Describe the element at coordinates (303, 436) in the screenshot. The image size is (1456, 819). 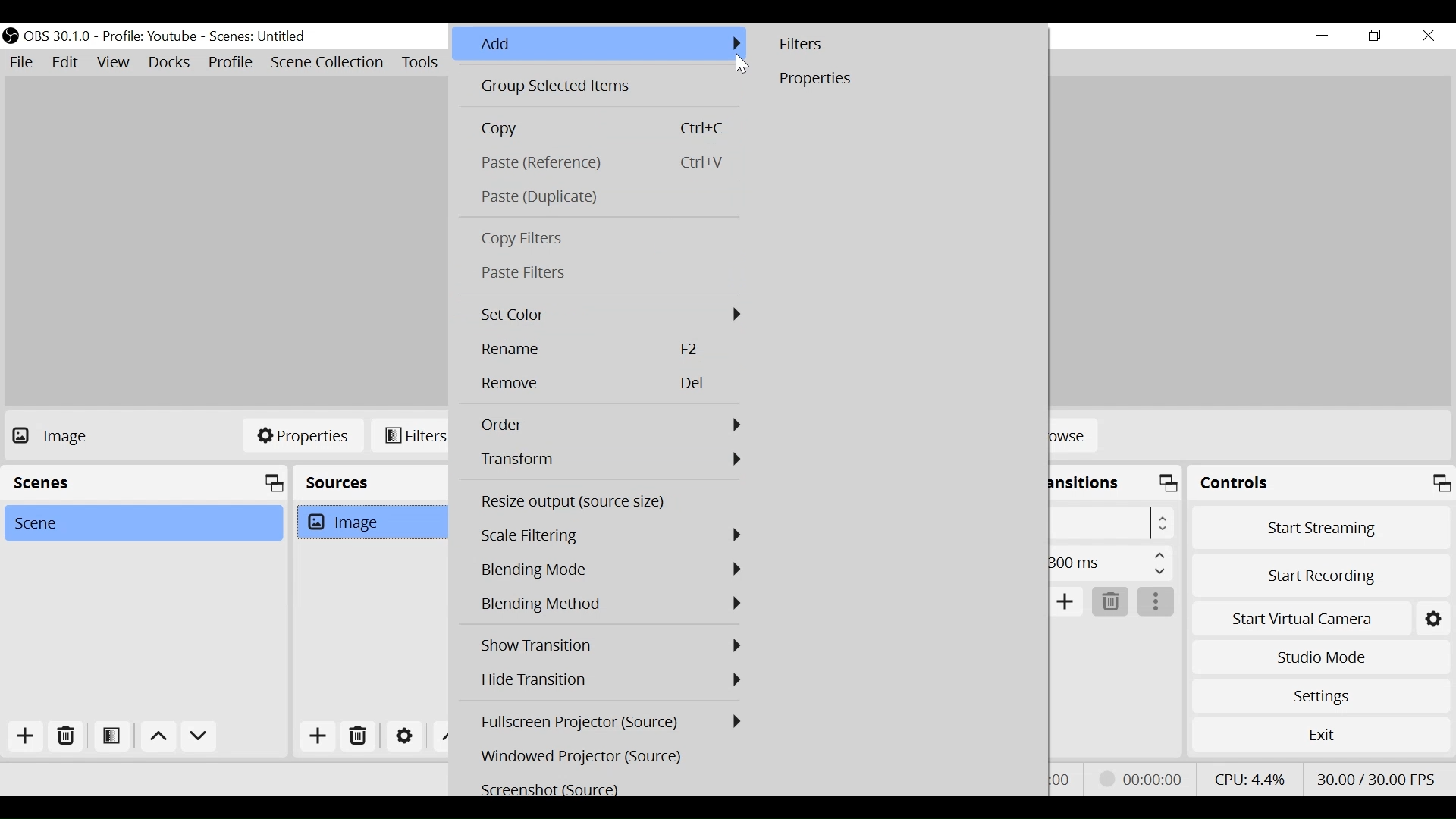
I see `Properties` at that location.